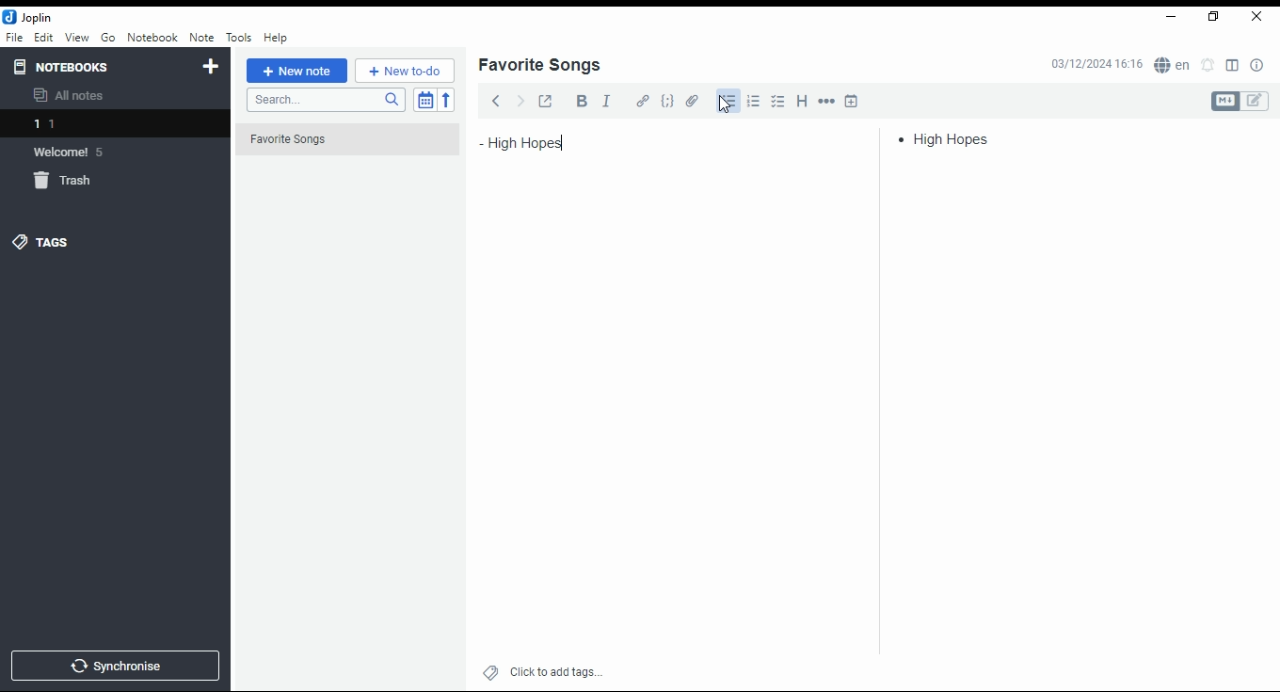  Describe the element at coordinates (337, 140) in the screenshot. I see `Favorite Songs` at that location.